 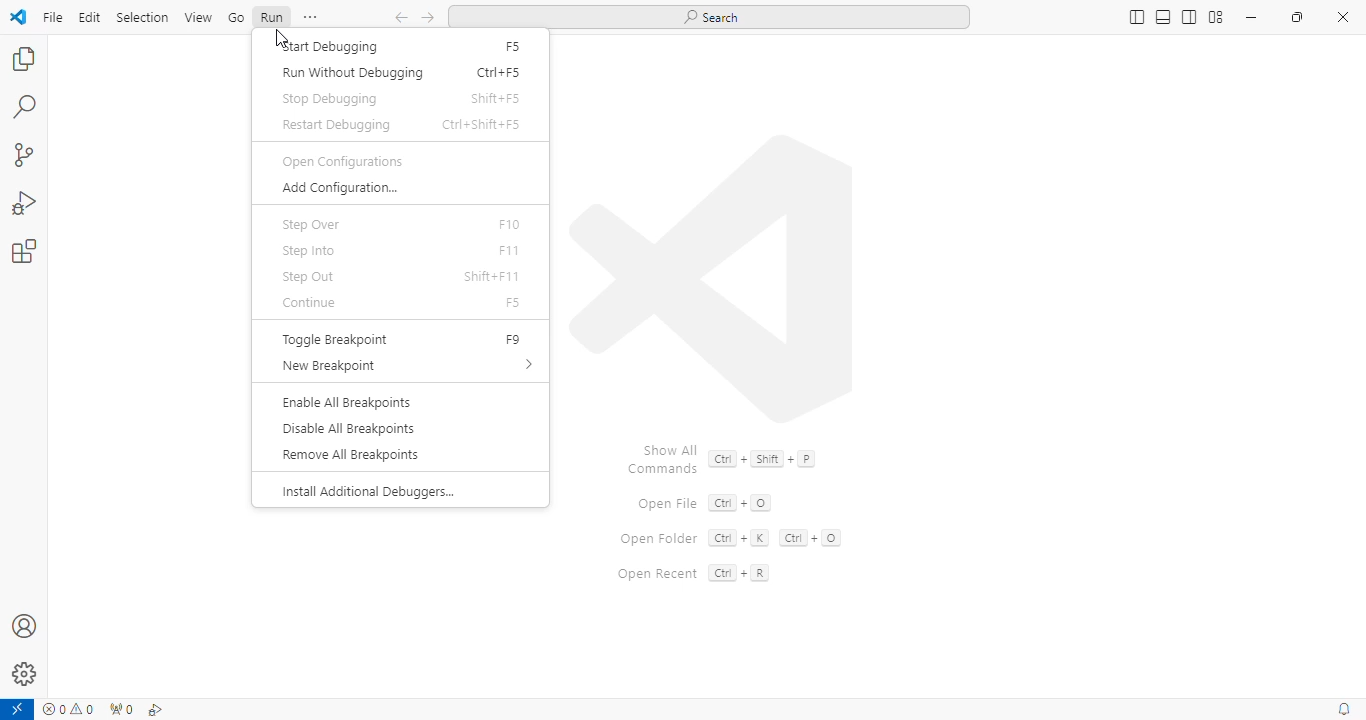 What do you see at coordinates (23, 58) in the screenshot?
I see `explorer` at bounding box center [23, 58].